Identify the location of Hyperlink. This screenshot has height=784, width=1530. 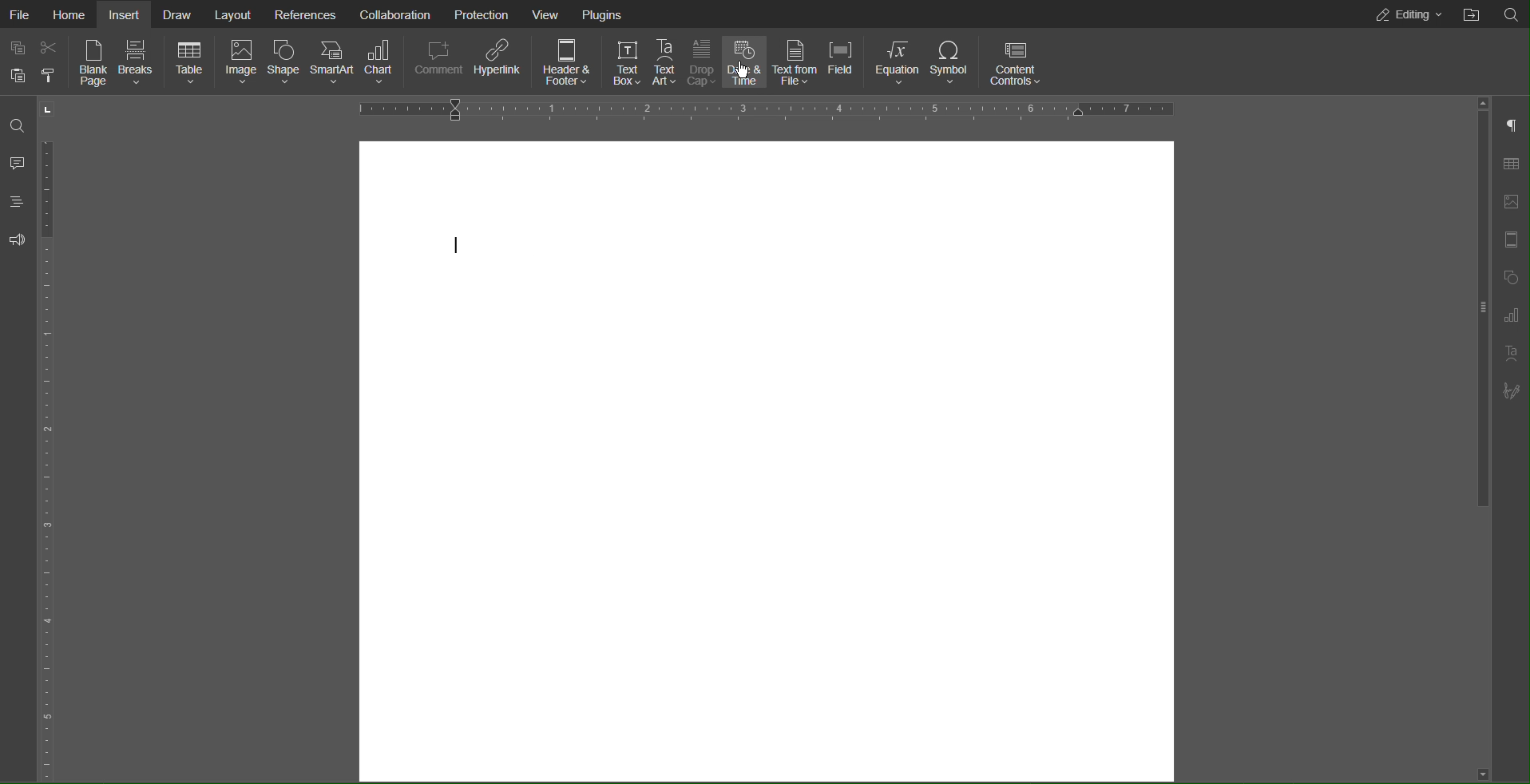
(498, 61).